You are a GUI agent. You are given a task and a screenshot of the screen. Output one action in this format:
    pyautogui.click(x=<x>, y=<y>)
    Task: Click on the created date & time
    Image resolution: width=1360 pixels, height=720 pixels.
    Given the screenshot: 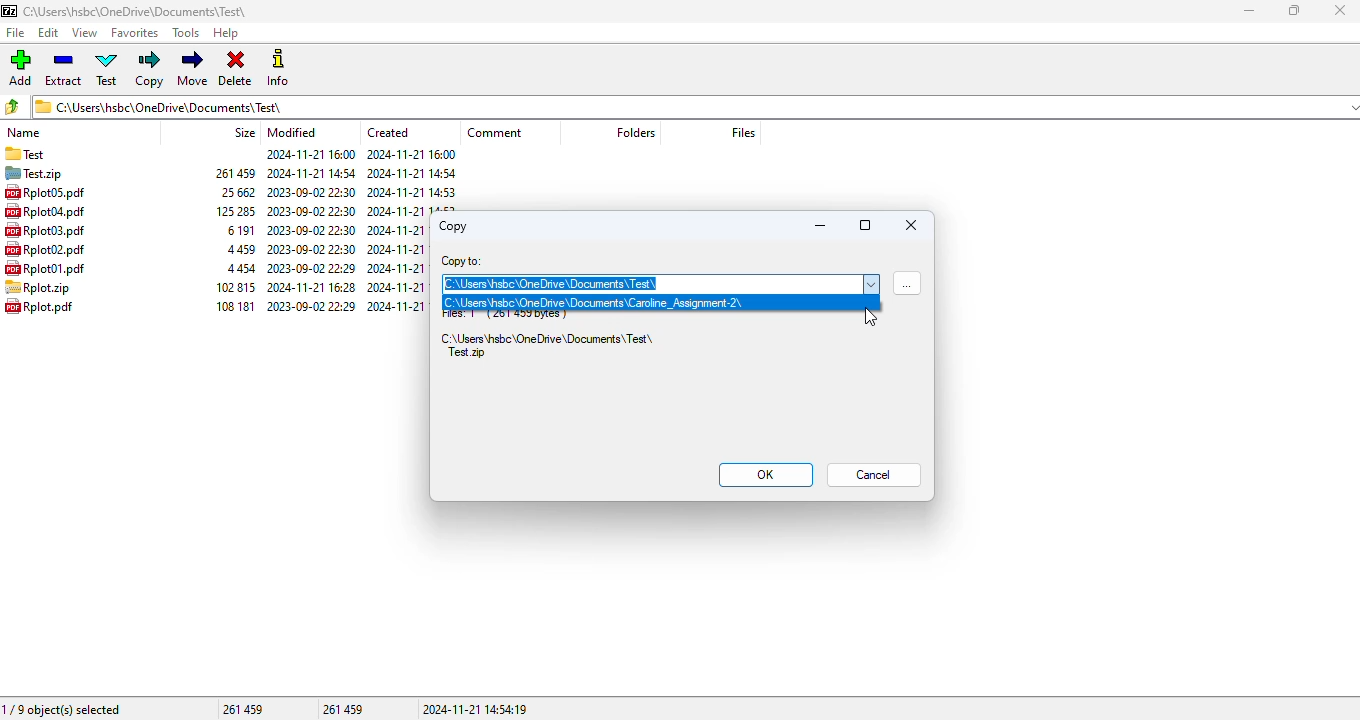 What is the action you would take?
    pyautogui.click(x=411, y=155)
    